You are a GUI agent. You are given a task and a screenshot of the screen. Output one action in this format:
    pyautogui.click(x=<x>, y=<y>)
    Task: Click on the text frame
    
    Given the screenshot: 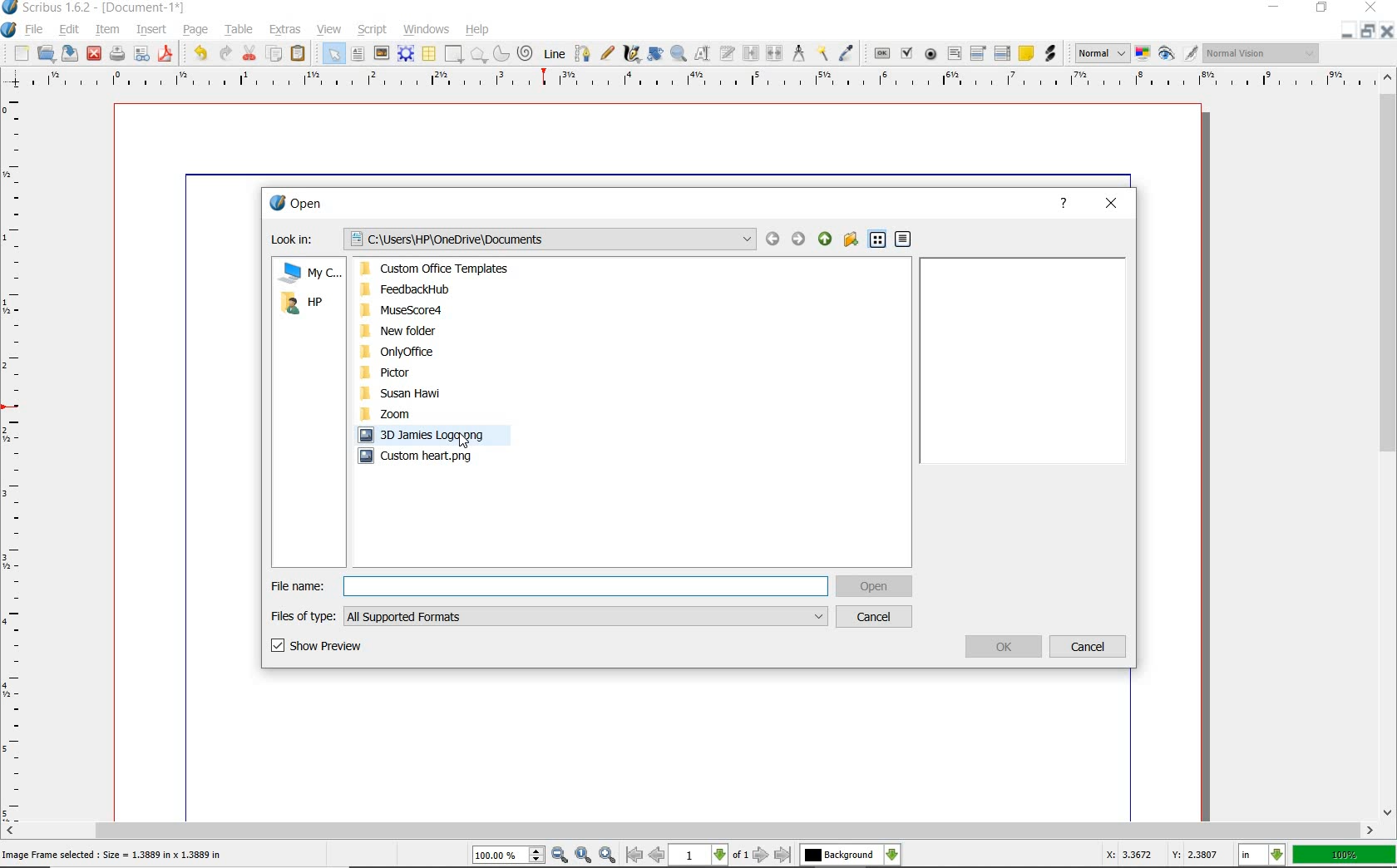 What is the action you would take?
    pyautogui.click(x=356, y=55)
    